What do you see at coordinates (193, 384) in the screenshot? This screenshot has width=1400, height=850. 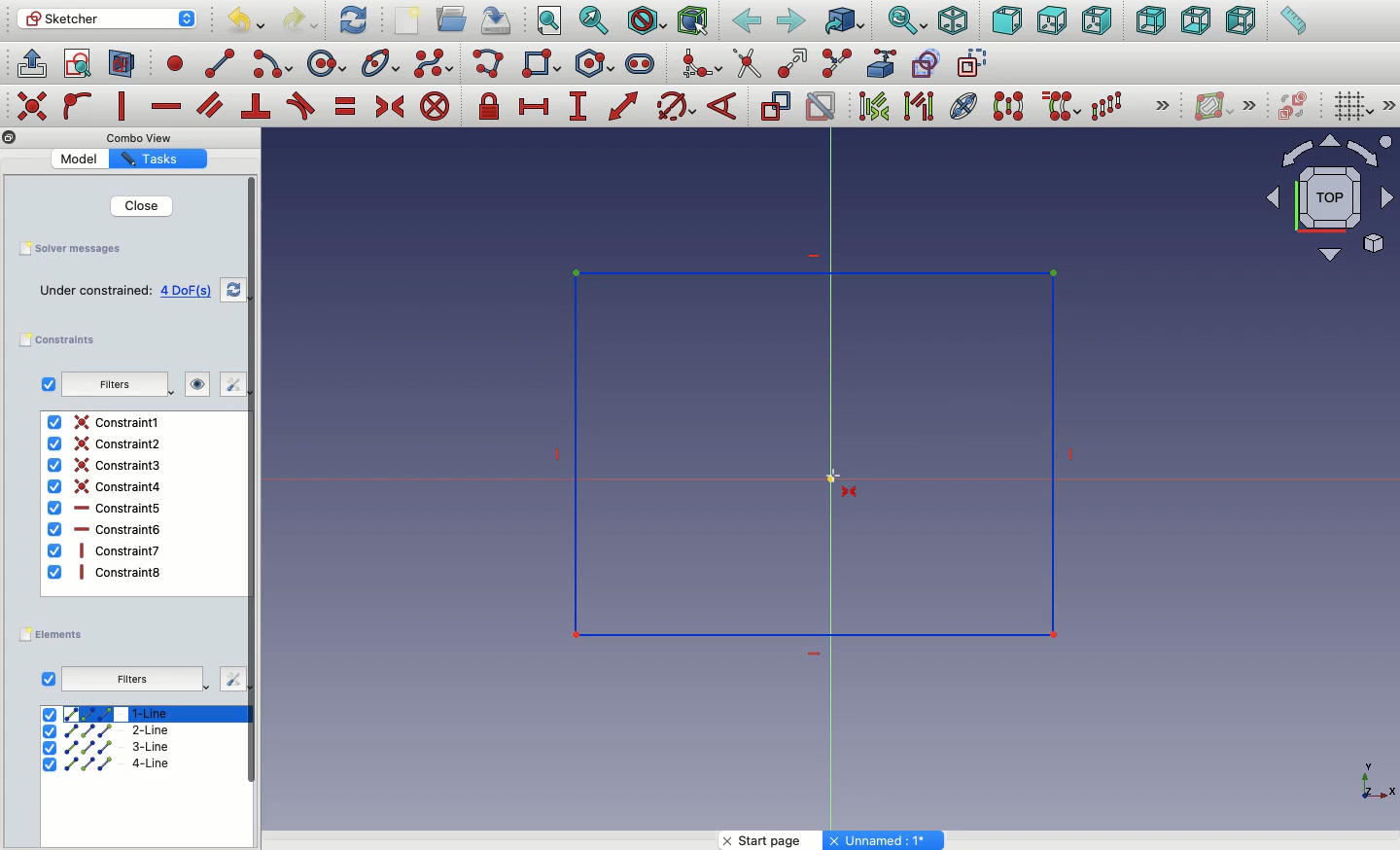 I see `visibility ` at bounding box center [193, 384].